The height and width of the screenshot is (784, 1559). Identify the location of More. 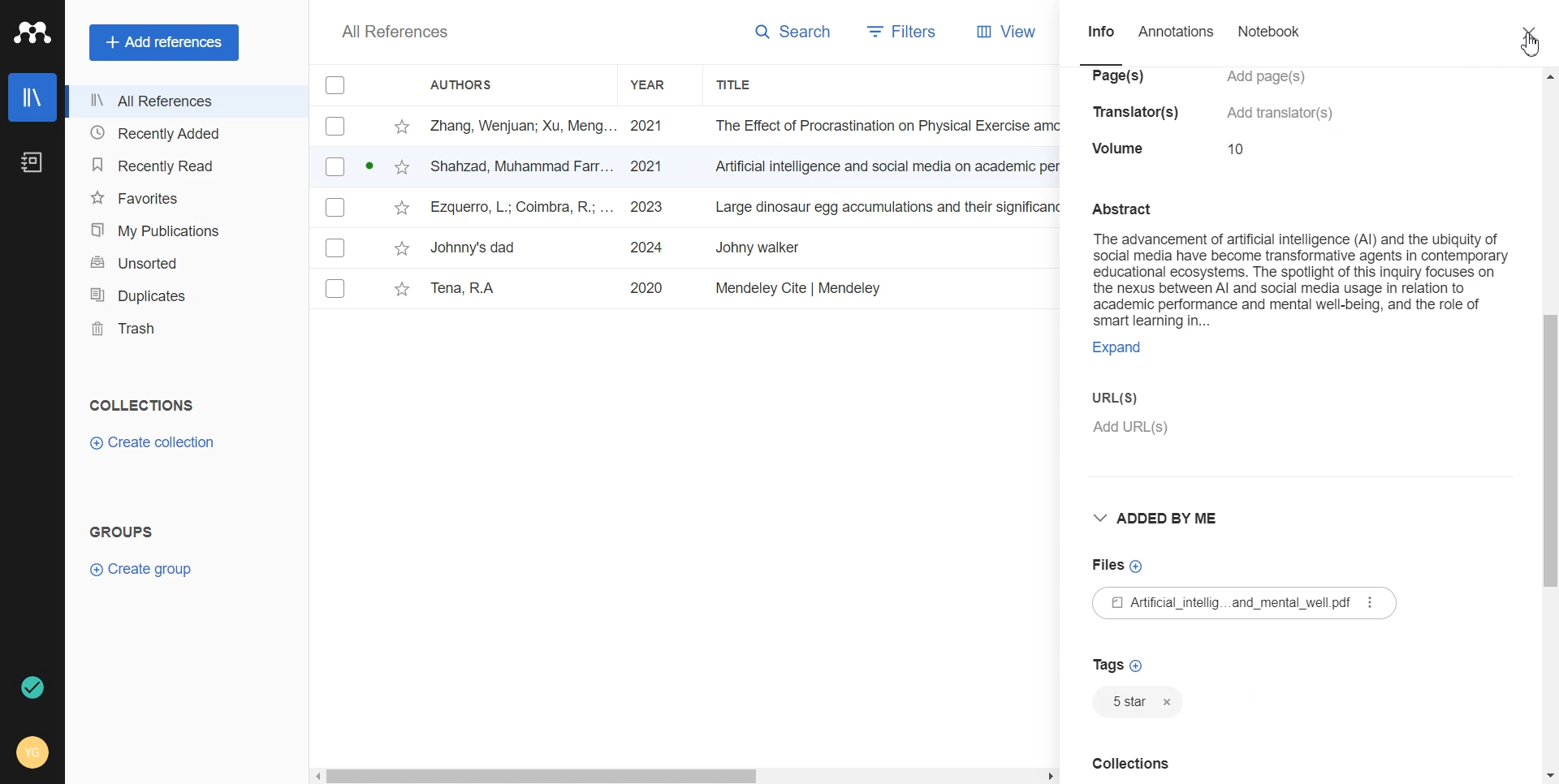
(1368, 603).